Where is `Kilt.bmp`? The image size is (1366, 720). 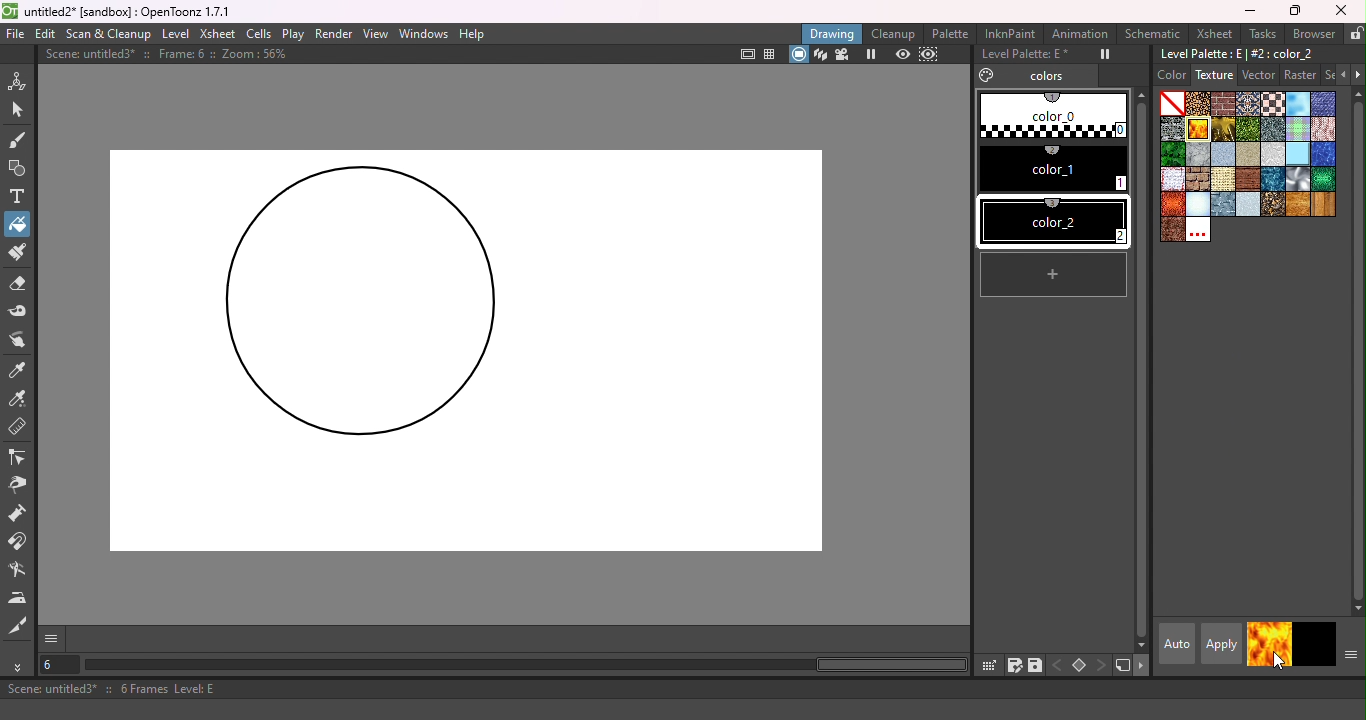
Kilt.bmp is located at coordinates (1297, 129).